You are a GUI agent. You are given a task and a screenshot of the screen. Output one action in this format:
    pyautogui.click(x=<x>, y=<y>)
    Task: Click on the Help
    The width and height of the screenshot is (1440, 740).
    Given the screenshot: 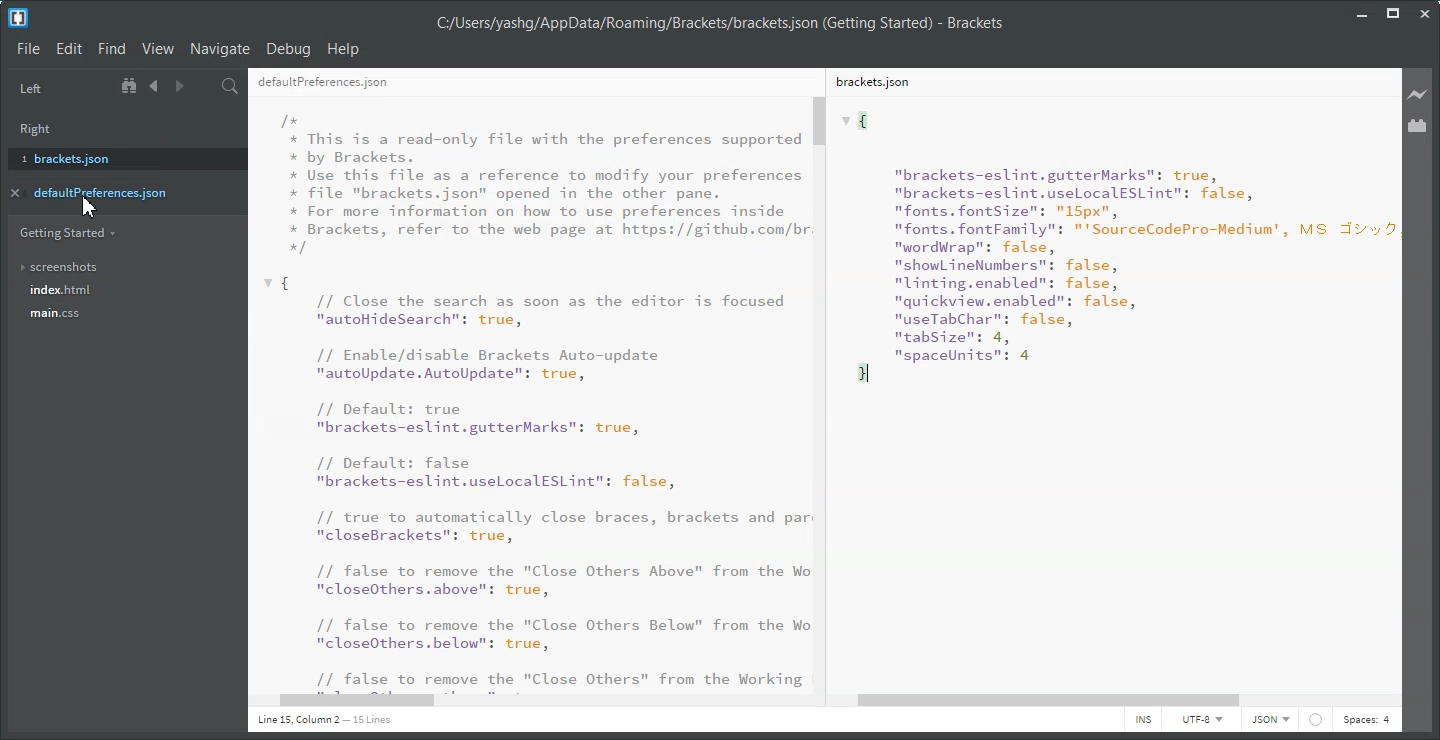 What is the action you would take?
    pyautogui.click(x=344, y=48)
    